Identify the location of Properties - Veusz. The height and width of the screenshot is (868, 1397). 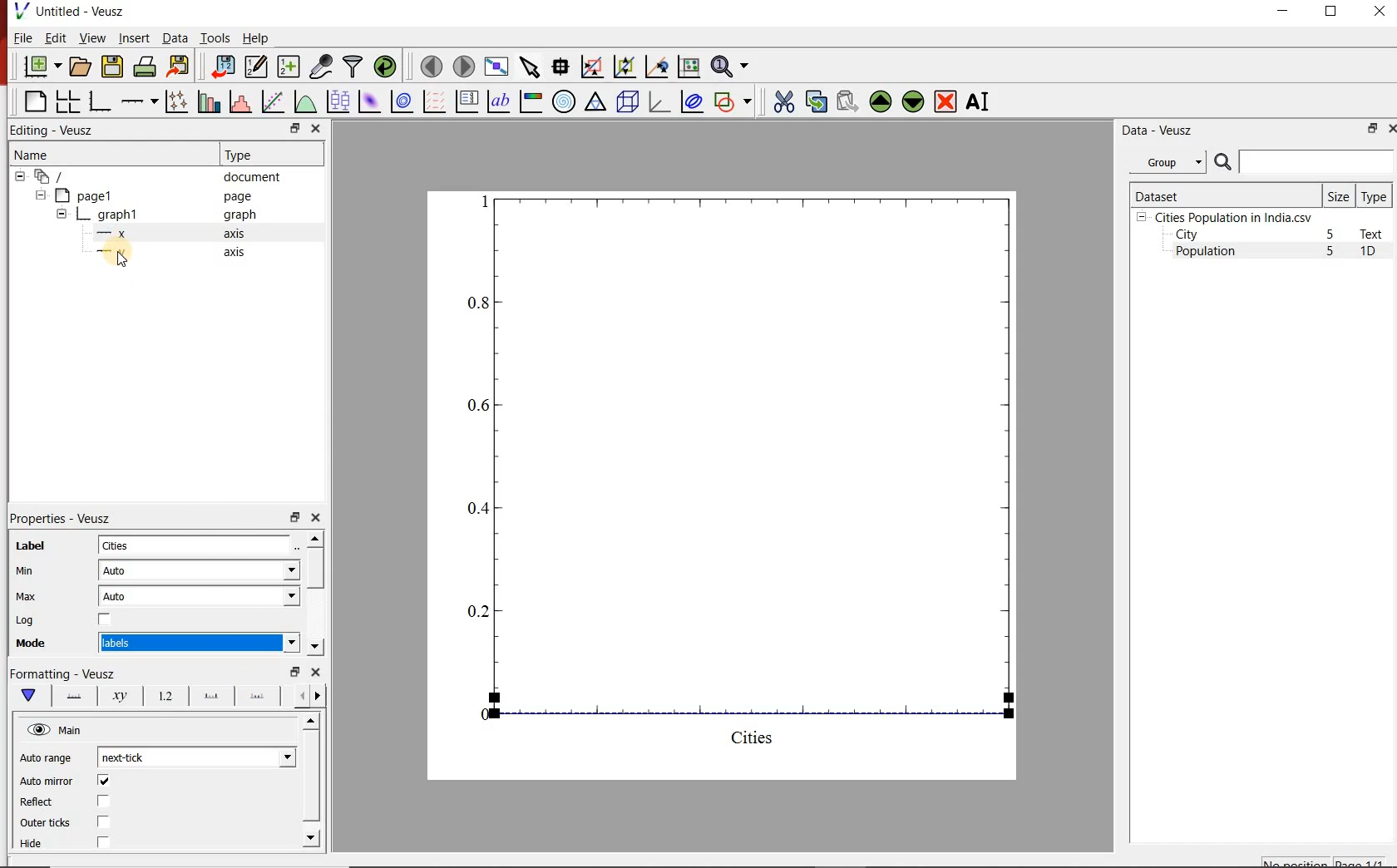
(60, 519).